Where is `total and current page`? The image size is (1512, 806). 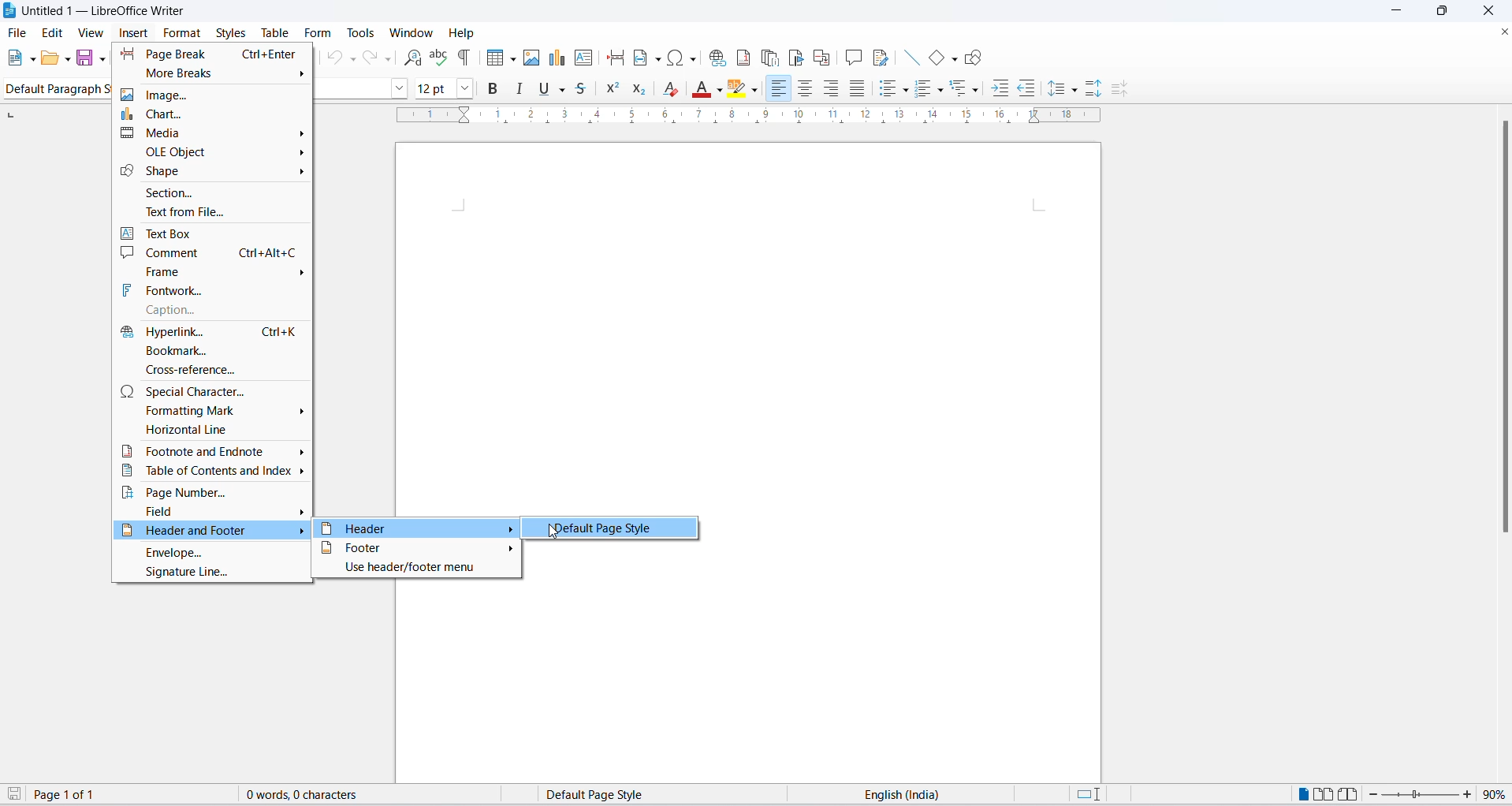
total and current page is located at coordinates (76, 796).